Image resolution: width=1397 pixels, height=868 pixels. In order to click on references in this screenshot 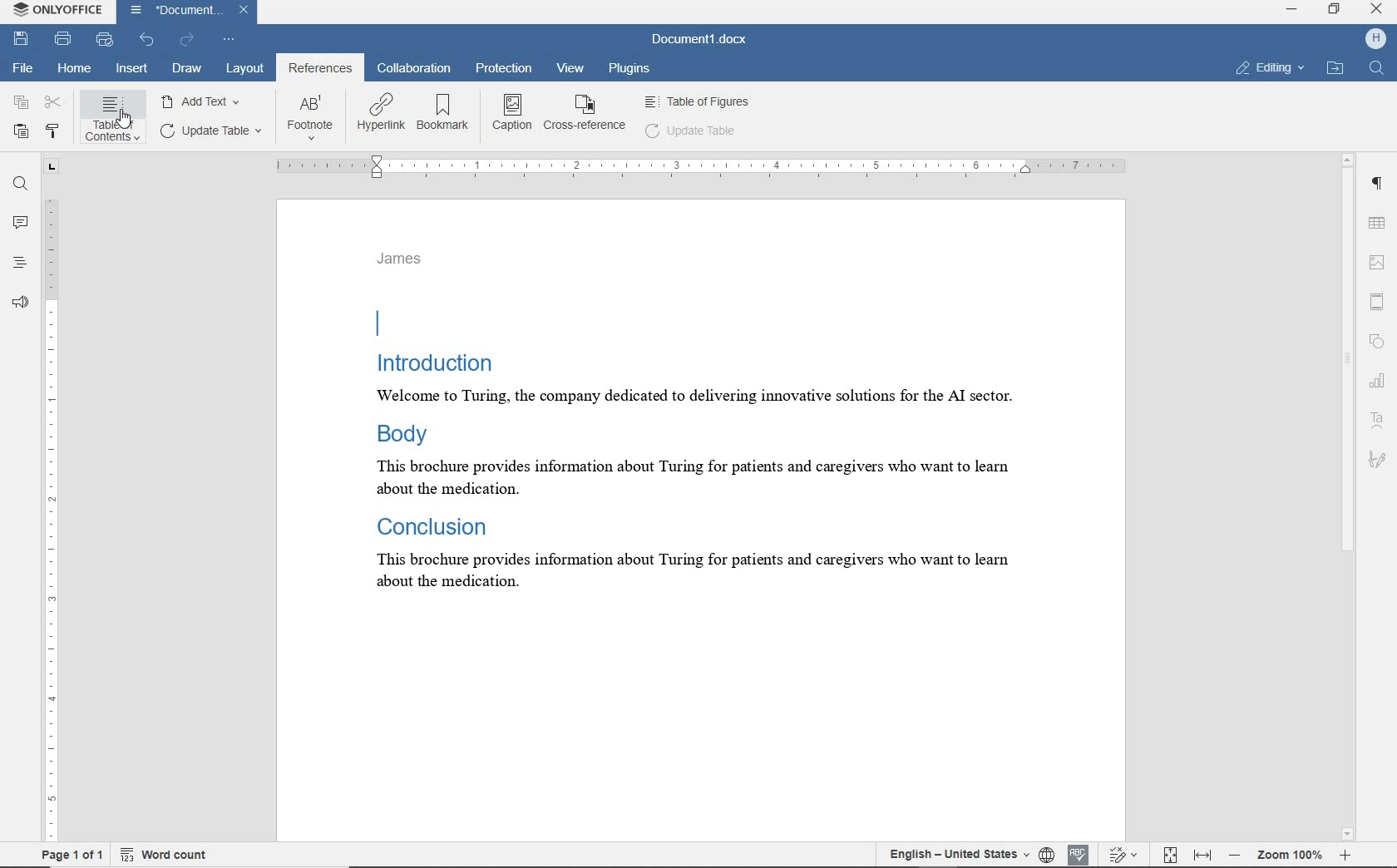, I will do `click(321, 68)`.